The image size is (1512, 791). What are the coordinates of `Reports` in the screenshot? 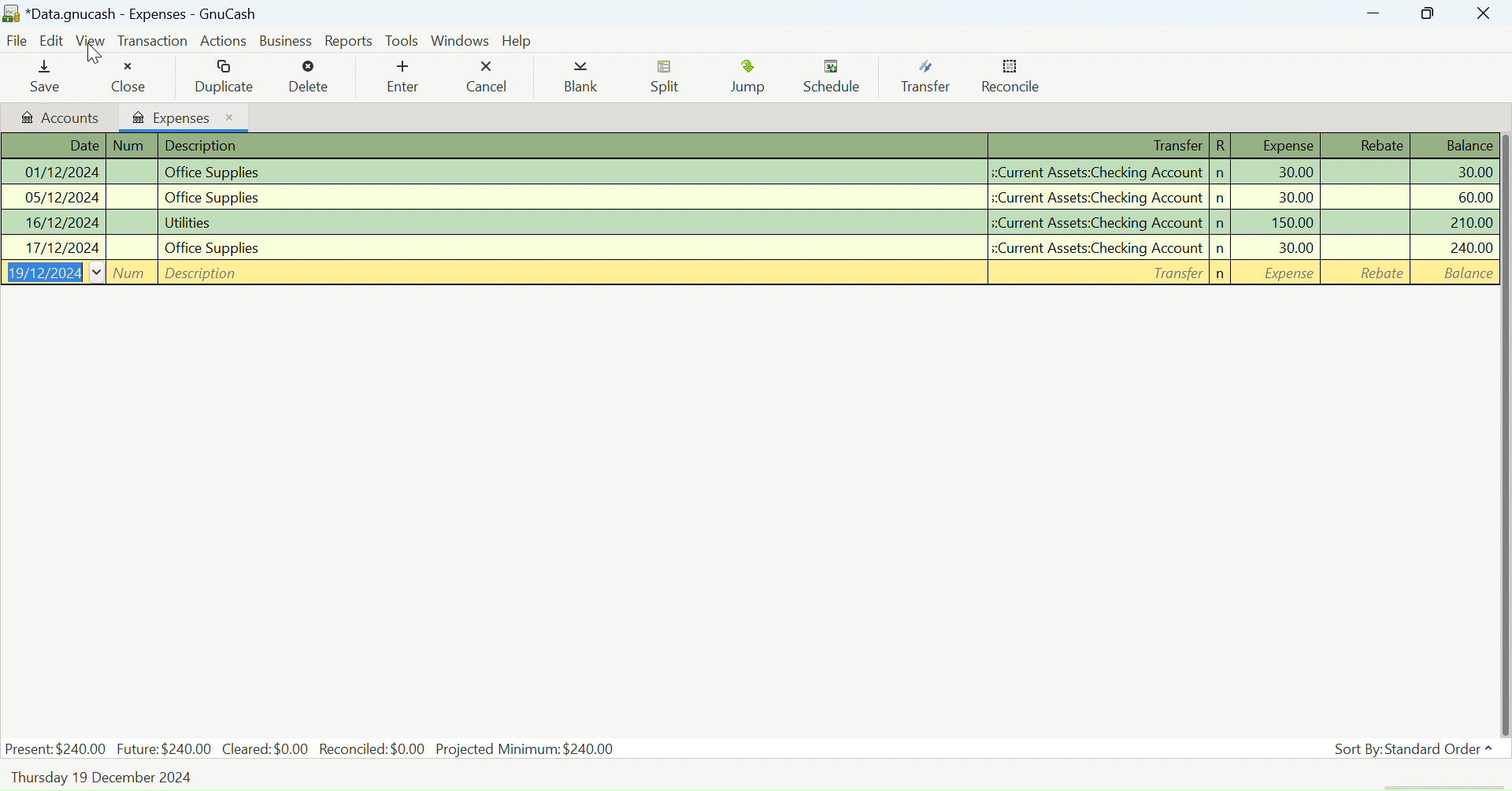 It's located at (350, 41).